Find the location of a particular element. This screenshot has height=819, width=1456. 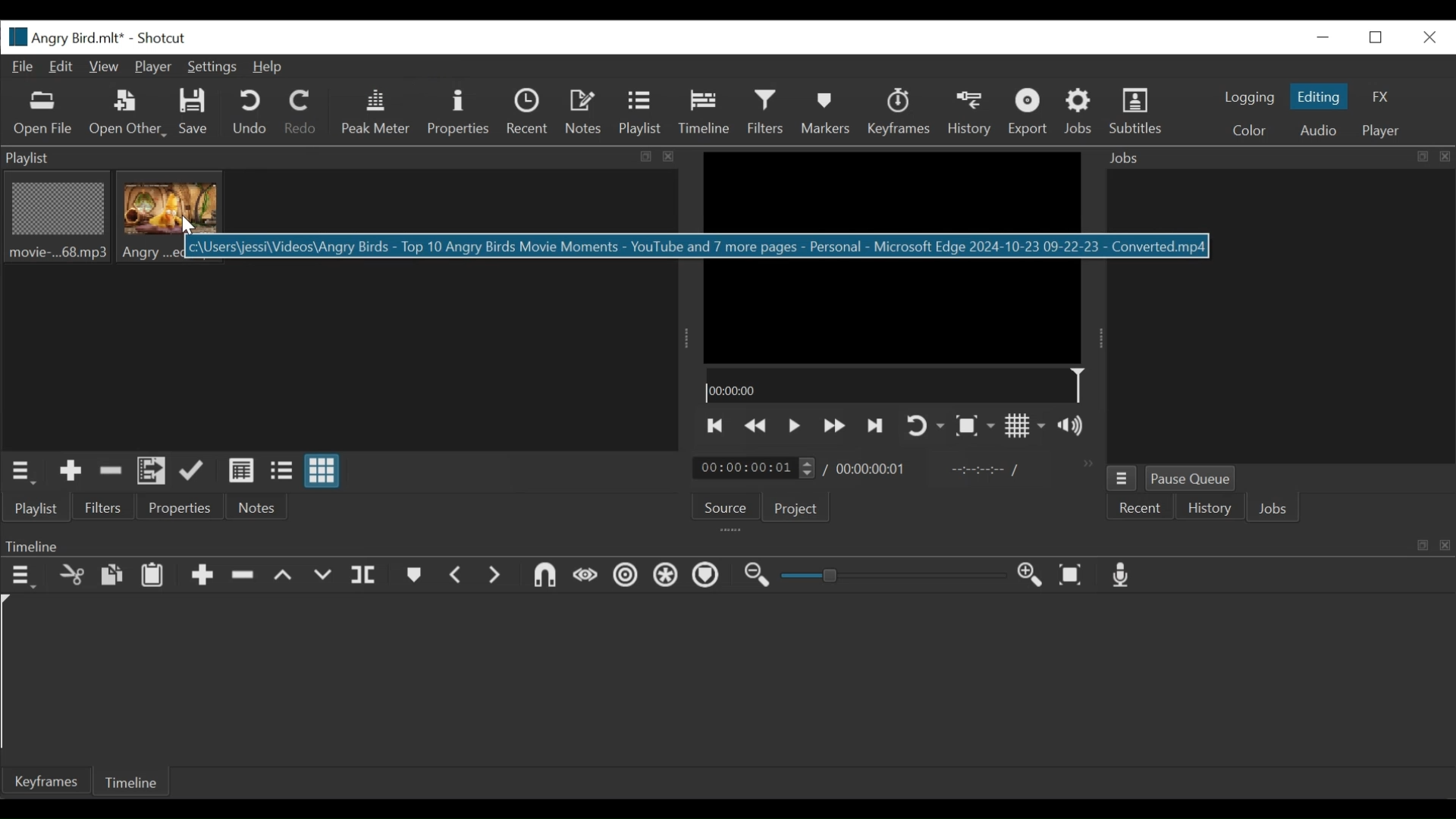

Playlist panel is located at coordinates (342, 158).